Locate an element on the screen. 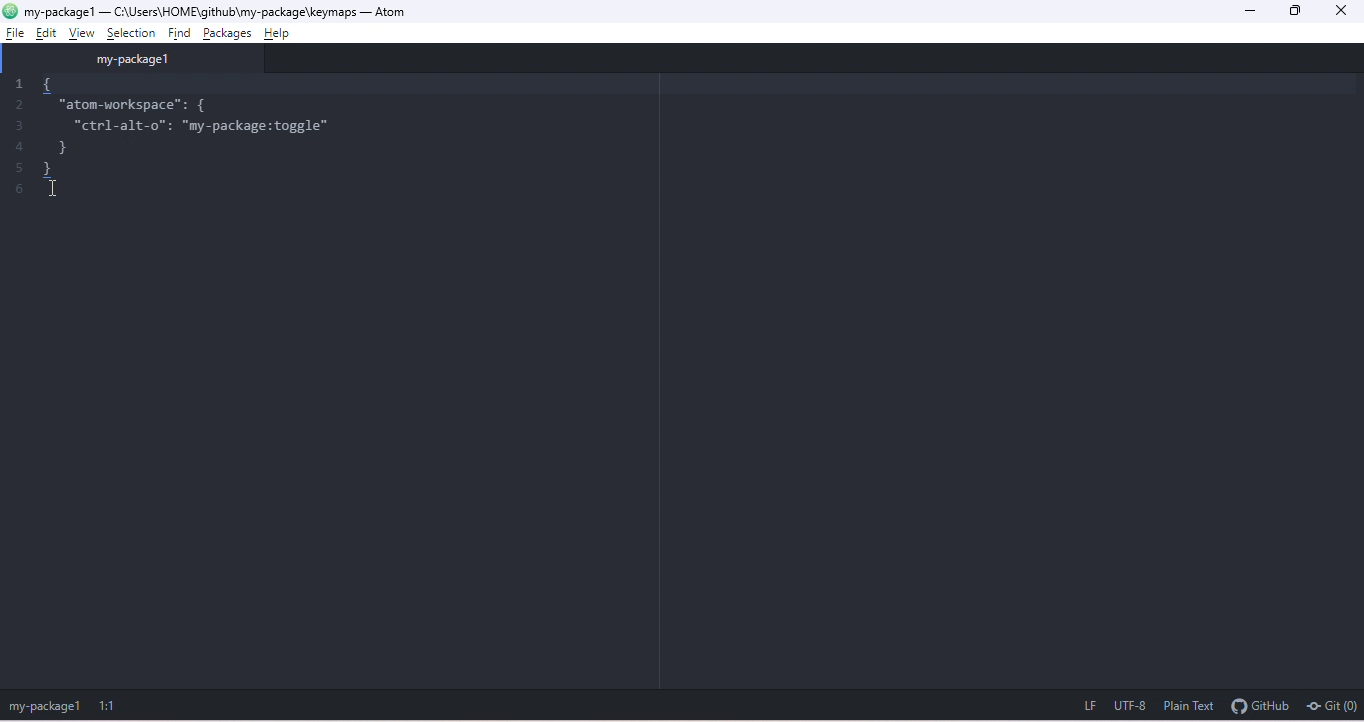 This screenshot has width=1364, height=722. plain text is located at coordinates (1189, 705).